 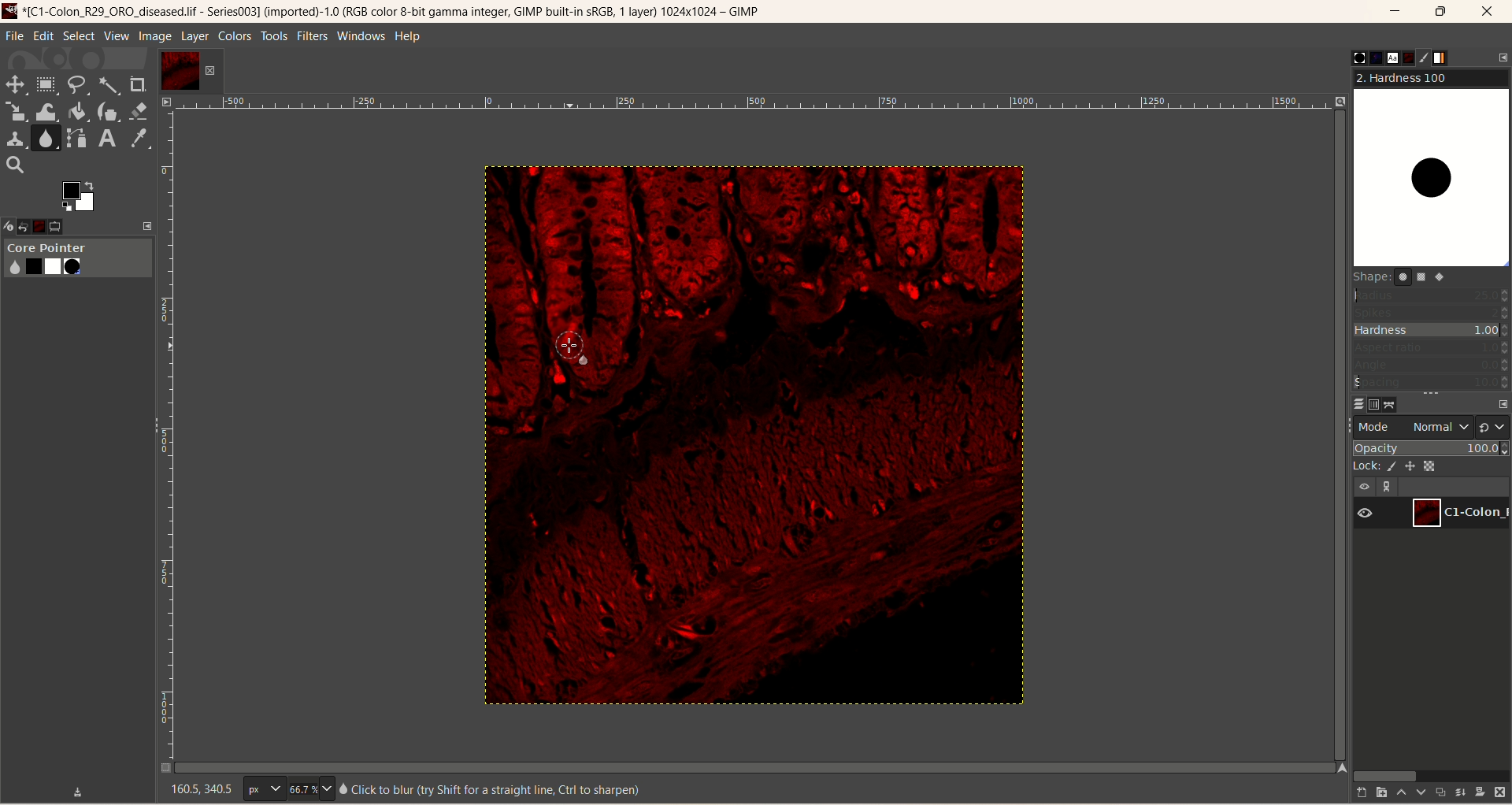 What do you see at coordinates (139, 84) in the screenshot?
I see `crop tool` at bounding box center [139, 84].